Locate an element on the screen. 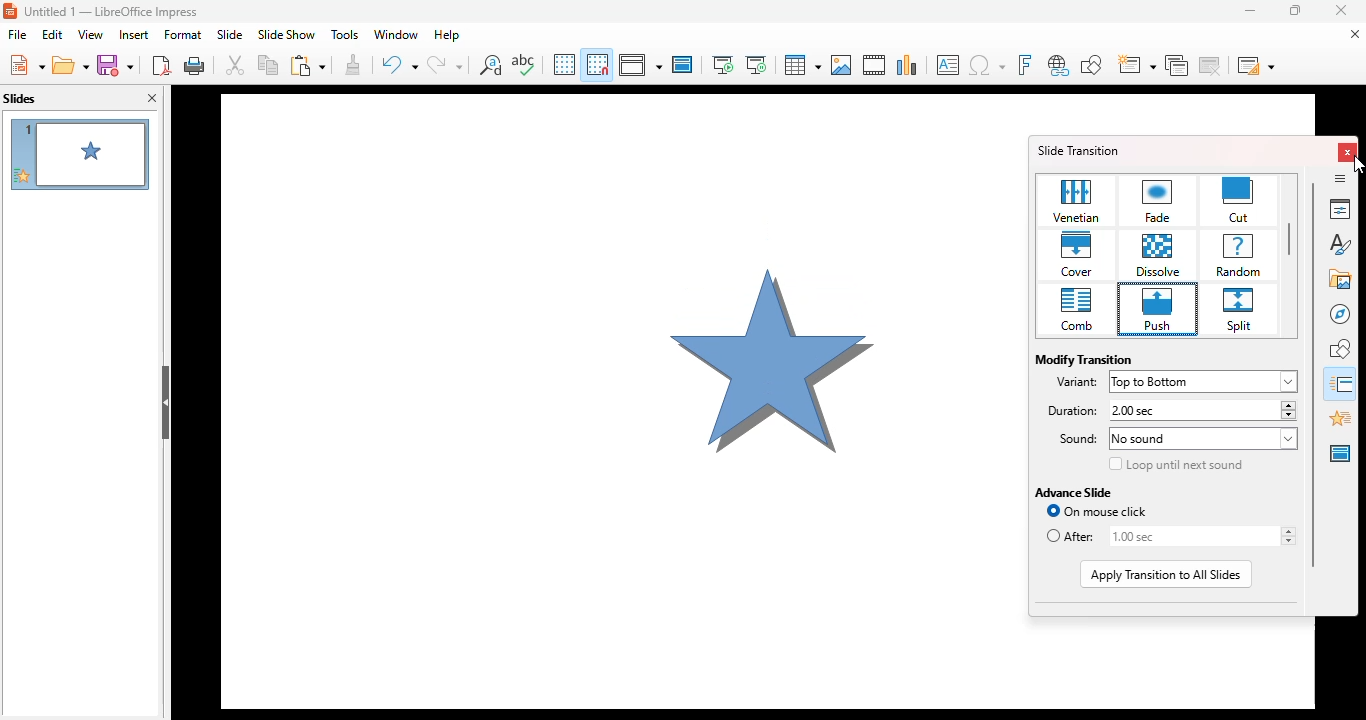 The height and width of the screenshot is (720, 1366). tools is located at coordinates (345, 35).